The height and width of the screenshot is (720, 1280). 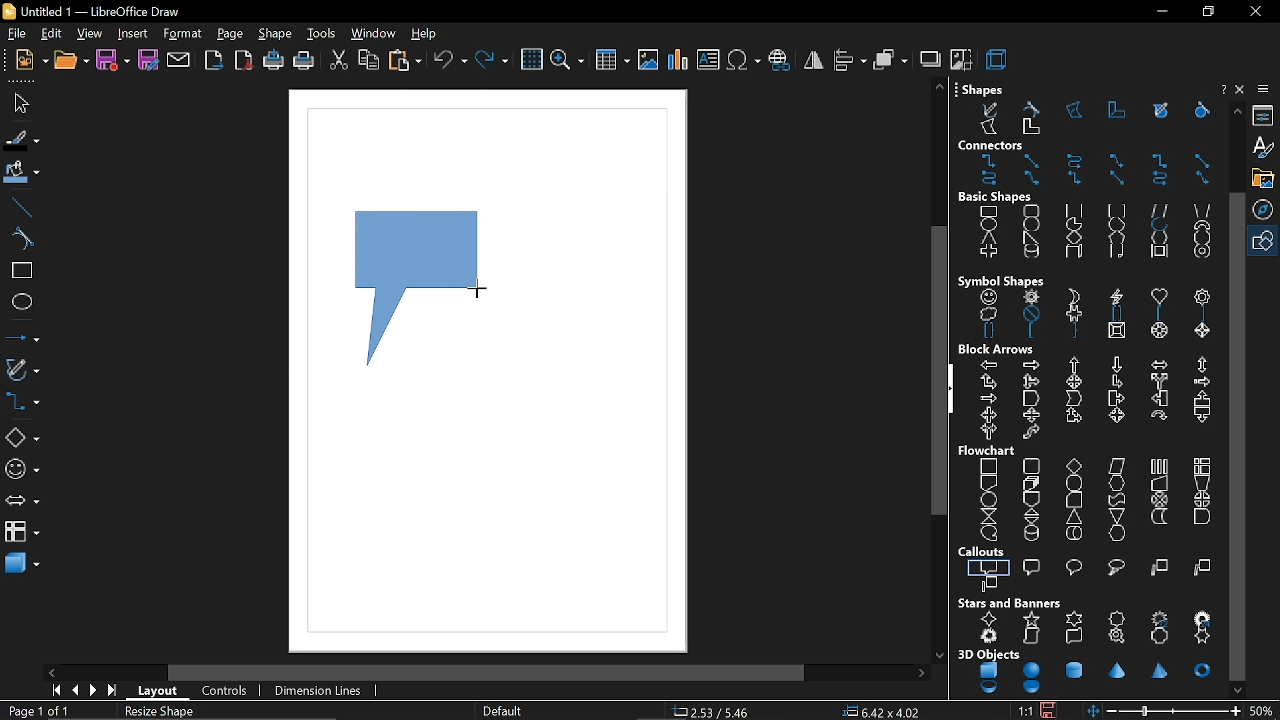 What do you see at coordinates (161, 711) in the screenshot?
I see `resize shape` at bounding box center [161, 711].